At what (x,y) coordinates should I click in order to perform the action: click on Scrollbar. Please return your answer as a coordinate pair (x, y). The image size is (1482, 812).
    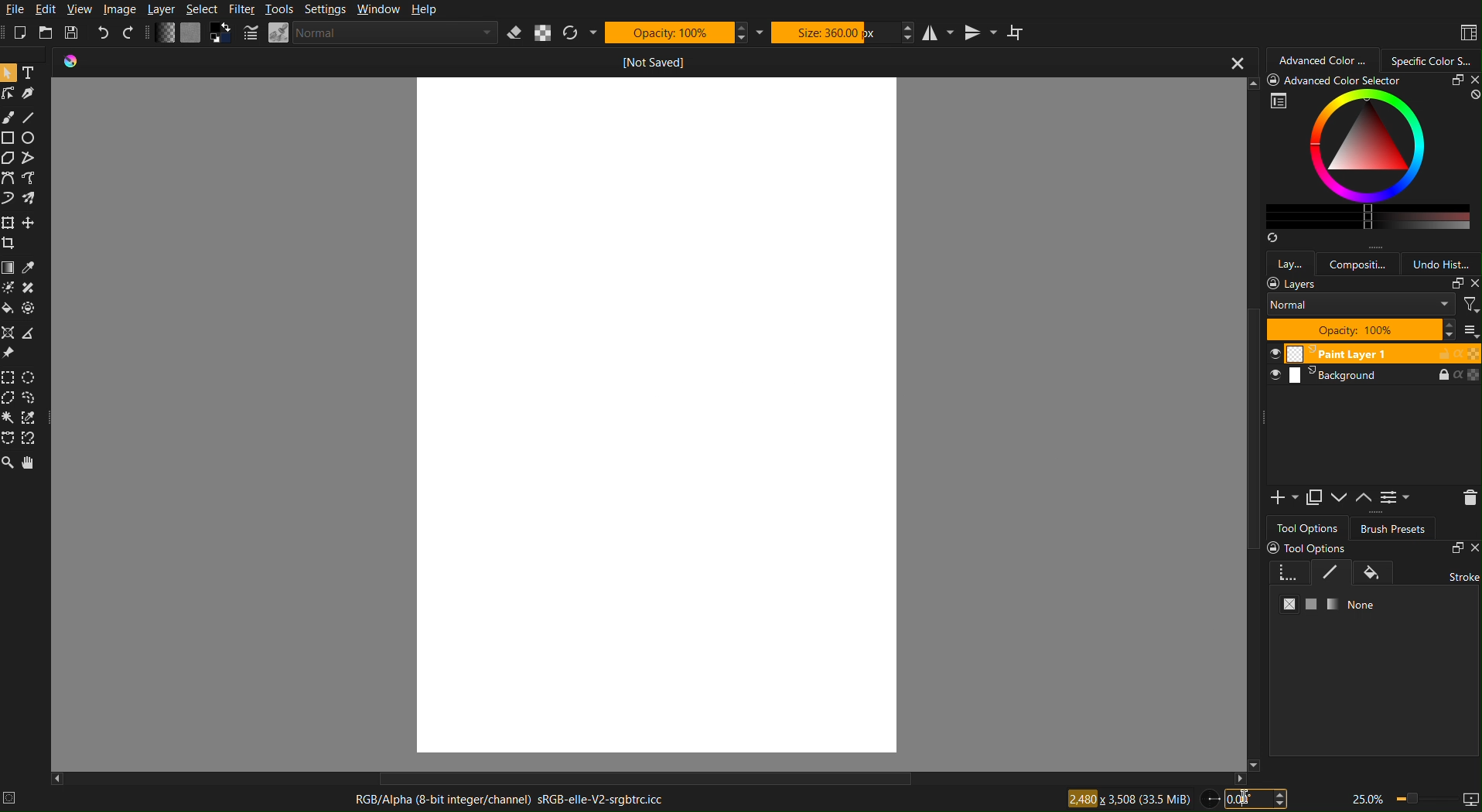
    Looking at the image, I should click on (1253, 421).